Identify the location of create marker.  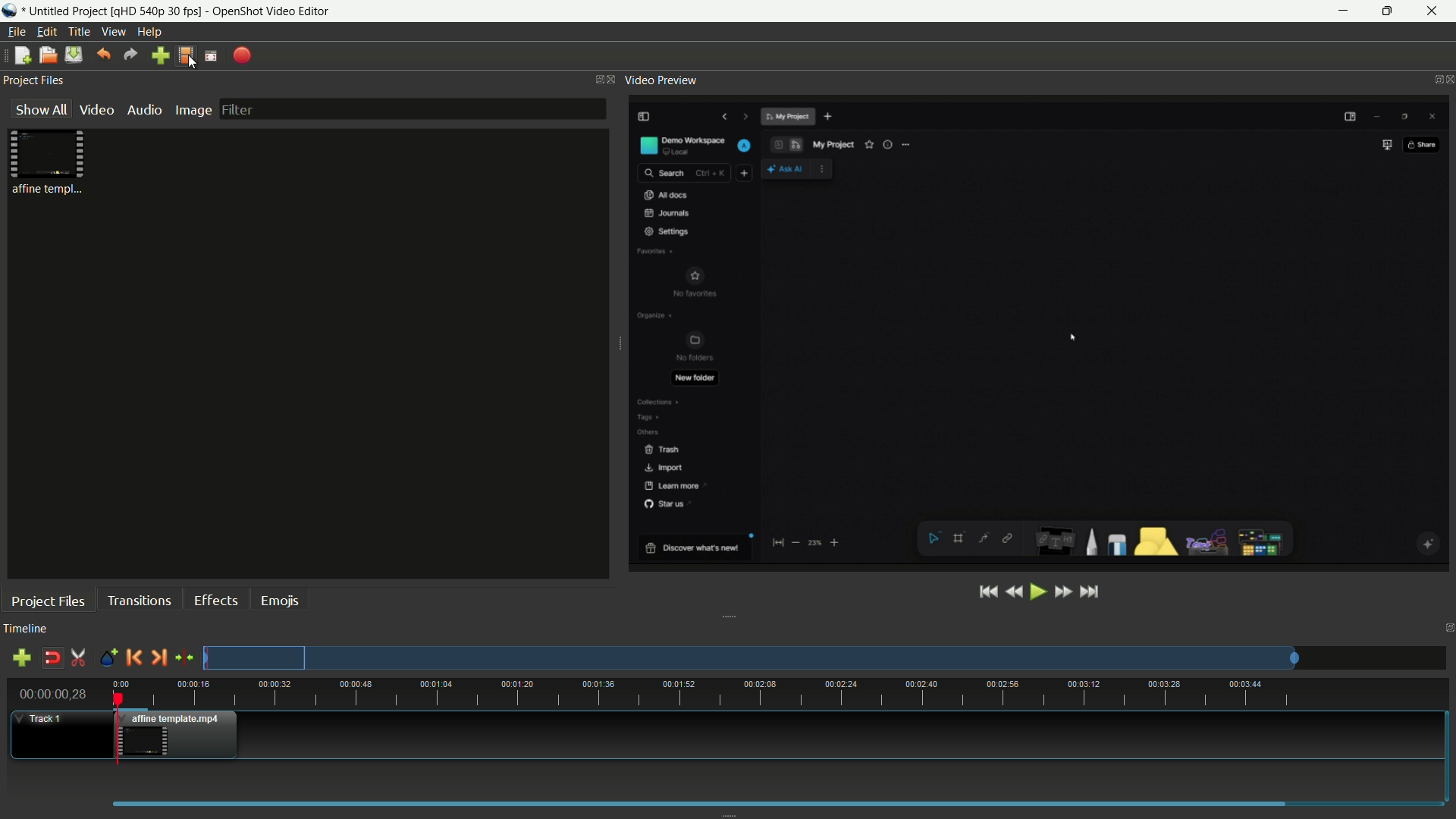
(108, 659).